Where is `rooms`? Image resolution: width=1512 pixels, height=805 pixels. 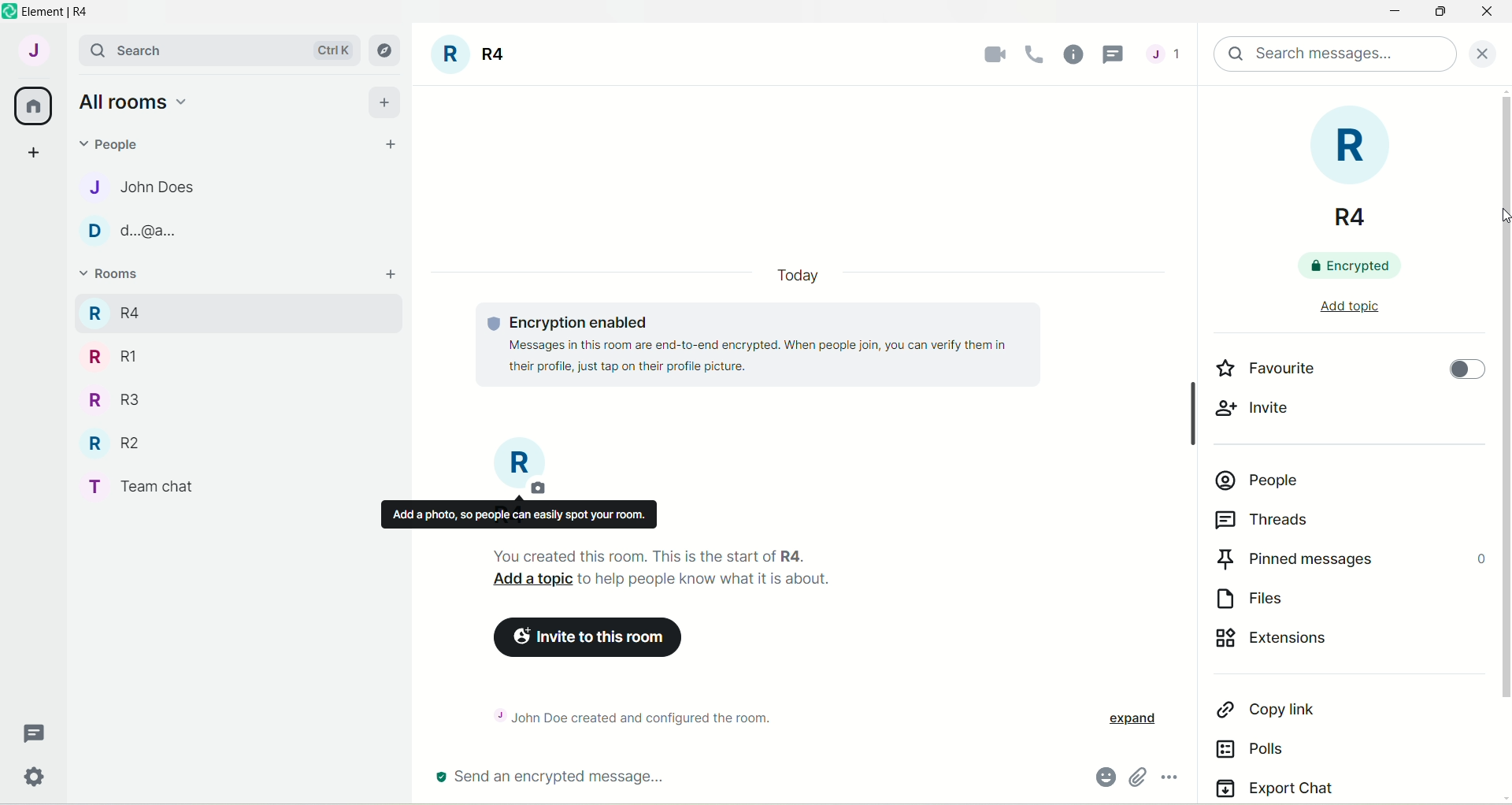
rooms is located at coordinates (112, 276).